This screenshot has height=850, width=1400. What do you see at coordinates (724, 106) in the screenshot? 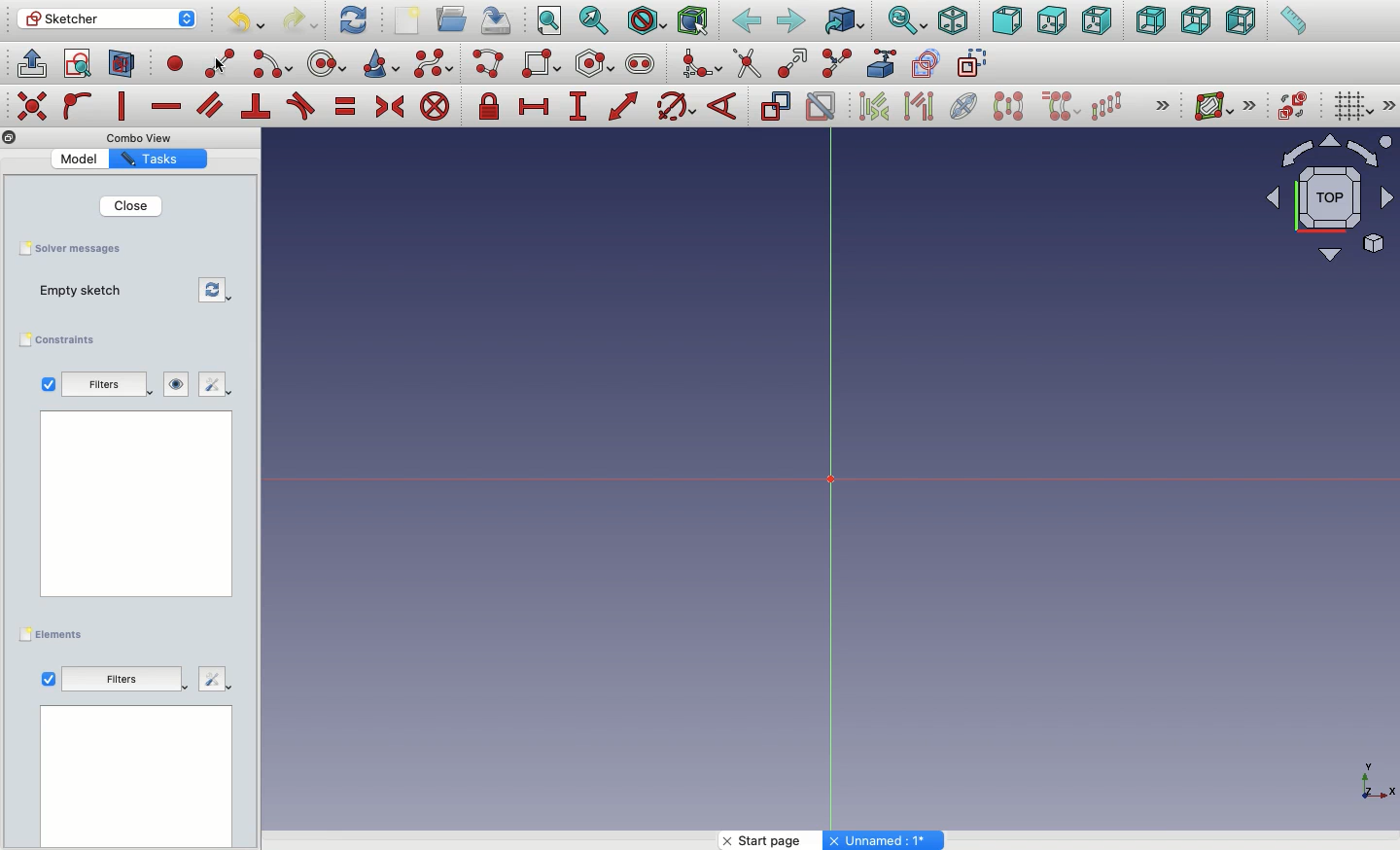
I see `Constrain angle` at bounding box center [724, 106].